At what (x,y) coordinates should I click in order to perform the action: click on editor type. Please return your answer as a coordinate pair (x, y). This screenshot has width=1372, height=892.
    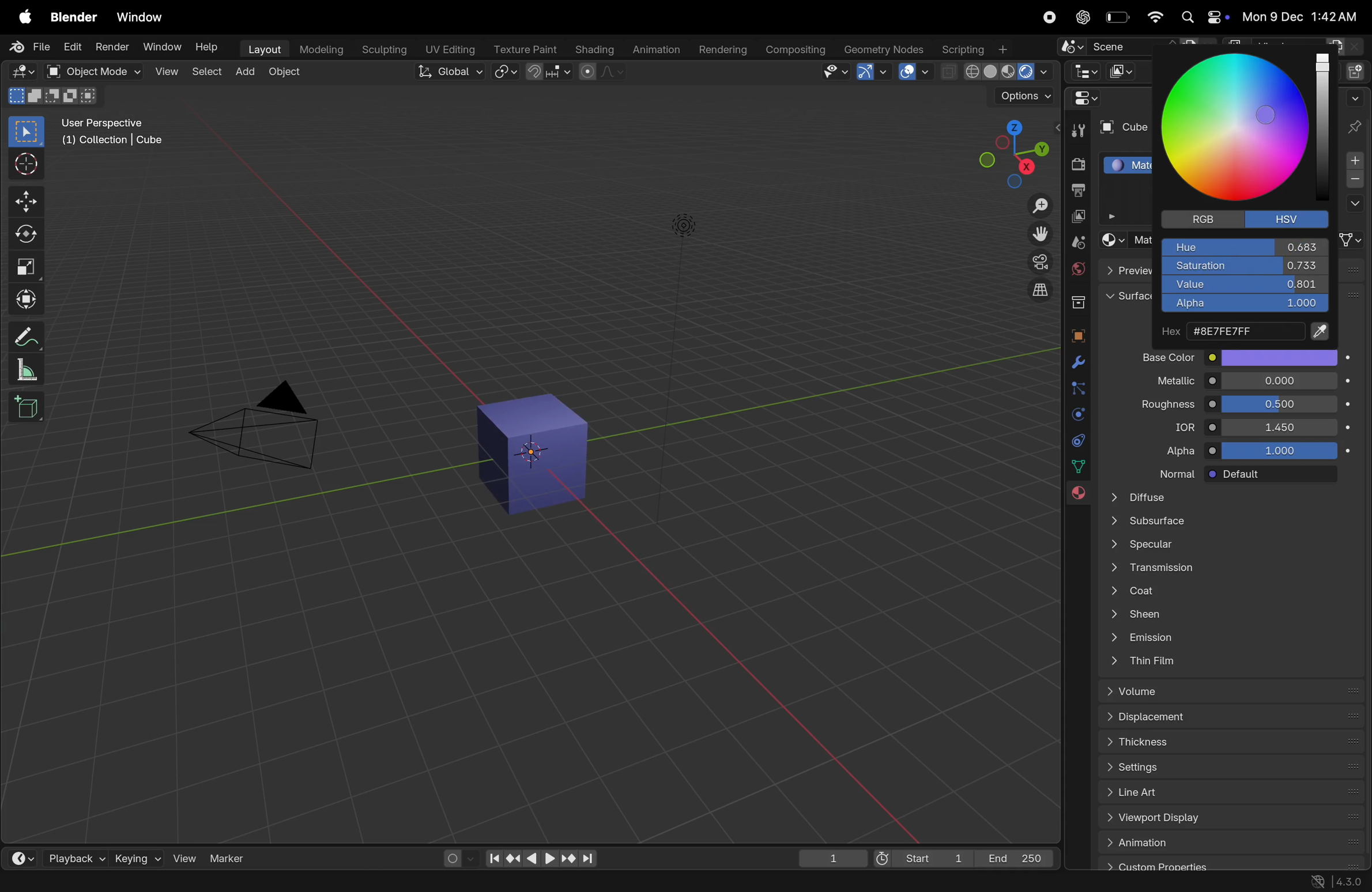
    Looking at the image, I should click on (1081, 98).